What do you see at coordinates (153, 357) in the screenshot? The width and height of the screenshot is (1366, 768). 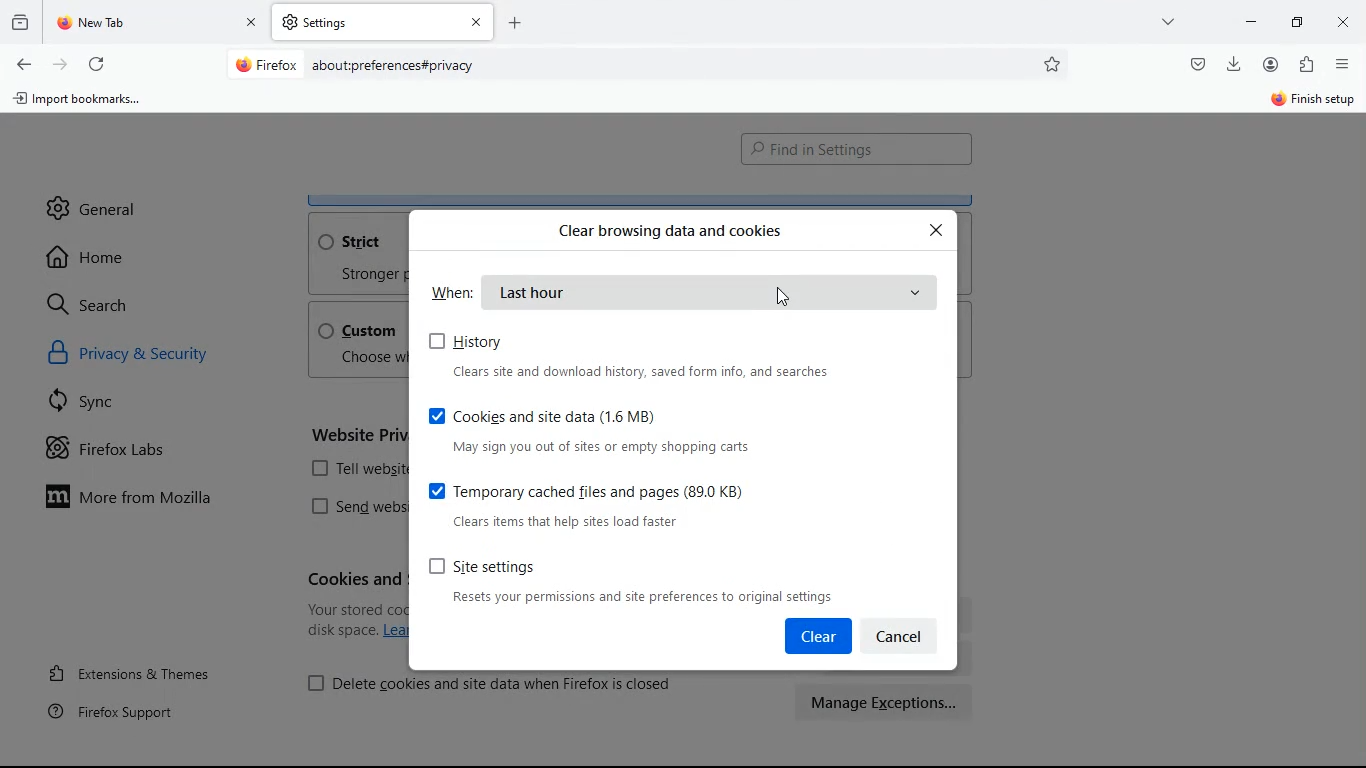 I see `privacy & security` at bounding box center [153, 357].